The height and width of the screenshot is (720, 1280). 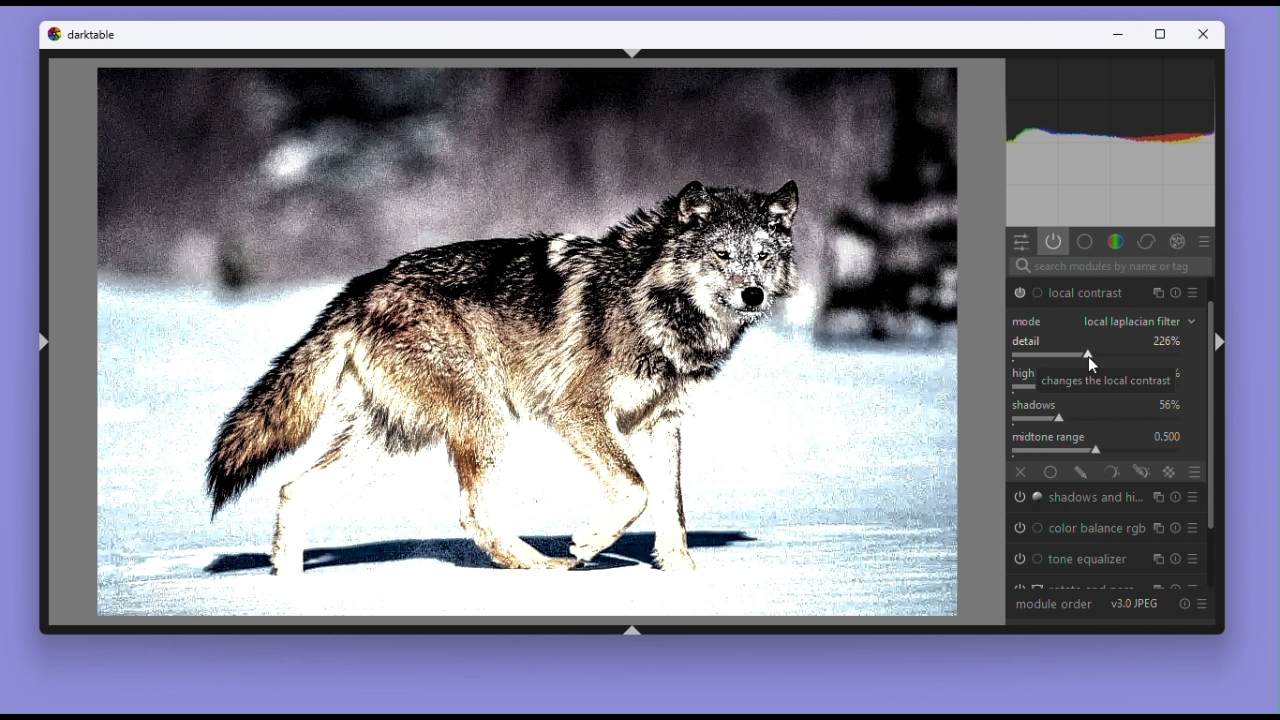 I want to click on off, so click(x=1022, y=471).